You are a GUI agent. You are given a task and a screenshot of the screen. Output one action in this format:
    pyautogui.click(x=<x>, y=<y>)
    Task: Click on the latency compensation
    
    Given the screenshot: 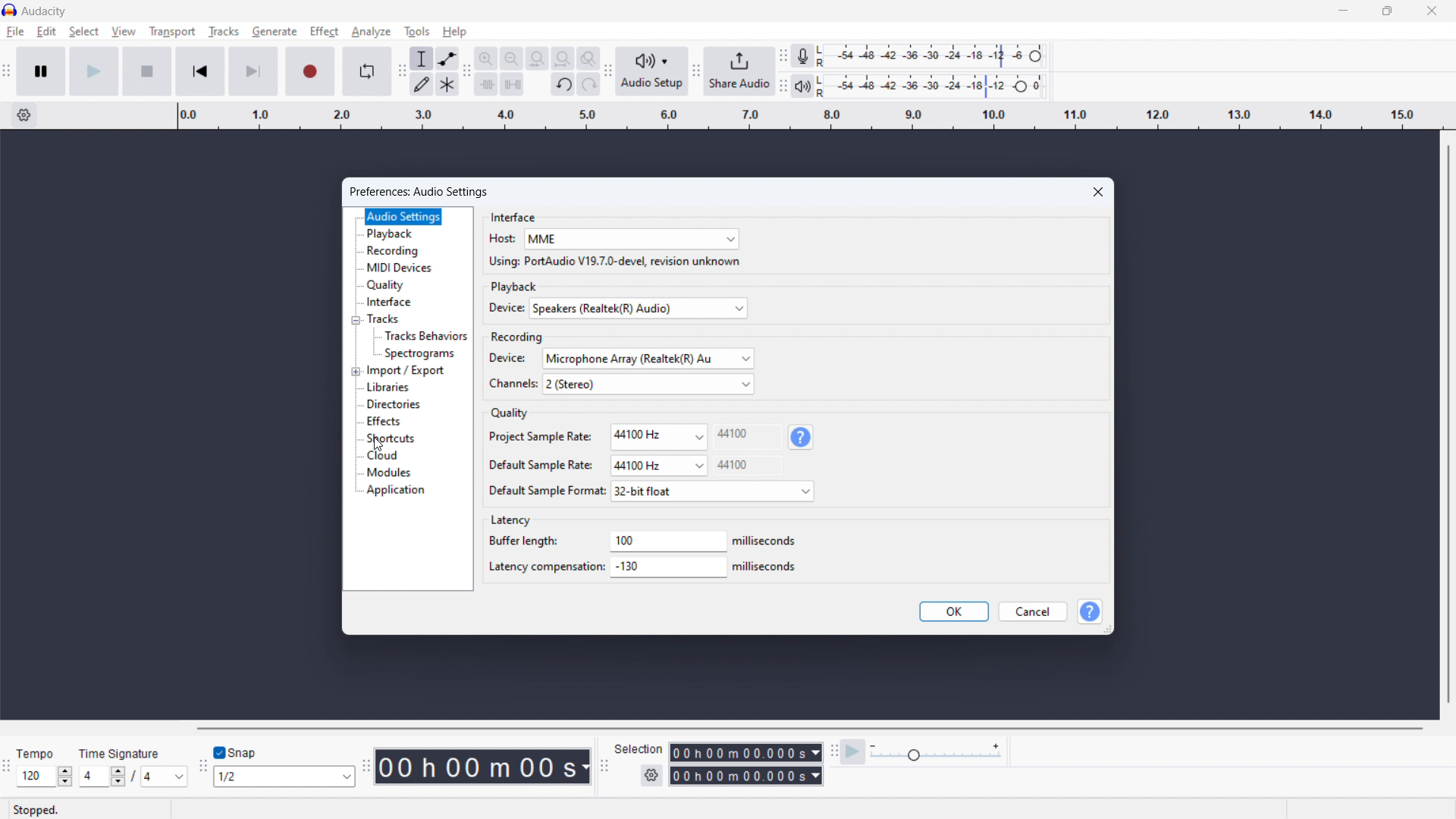 What is the action you would take?
    pyautogui.click(x=670, y=567)
    